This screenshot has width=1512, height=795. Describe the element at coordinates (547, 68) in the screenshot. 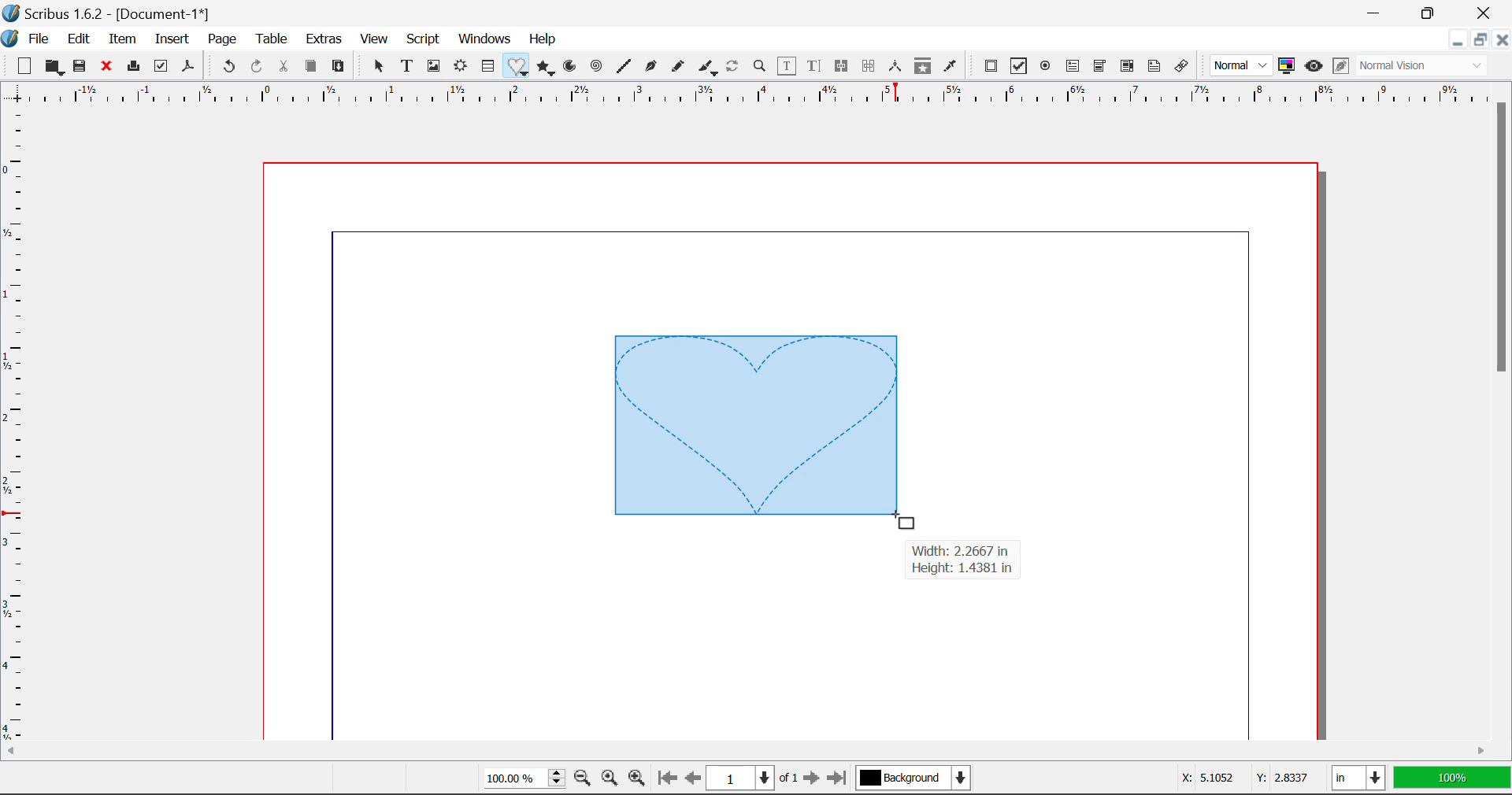

I see `Polygons` at that location.